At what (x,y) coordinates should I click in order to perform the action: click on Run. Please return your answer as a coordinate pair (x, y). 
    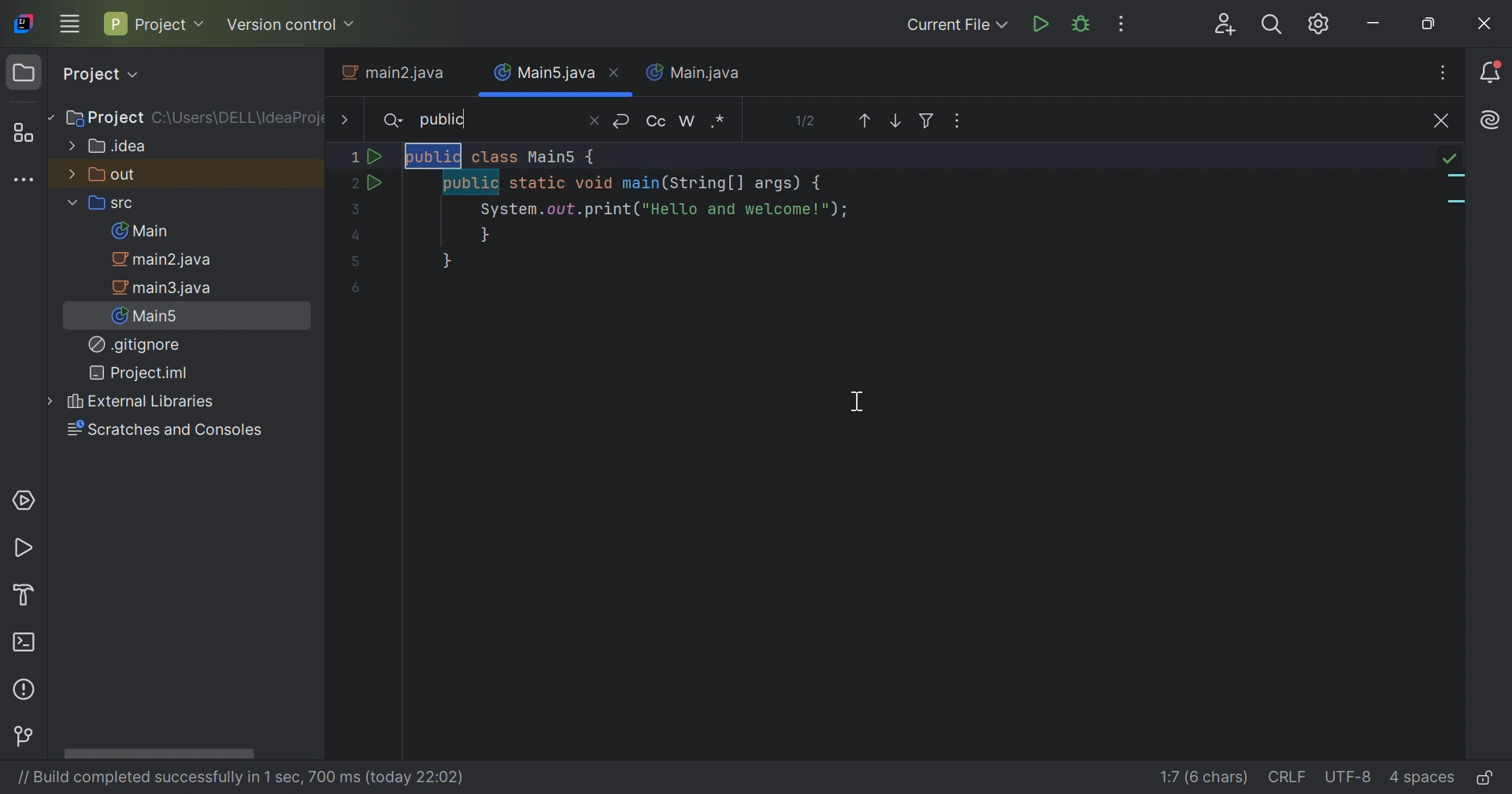
    Looking at the image, I should click on (1043, 24).